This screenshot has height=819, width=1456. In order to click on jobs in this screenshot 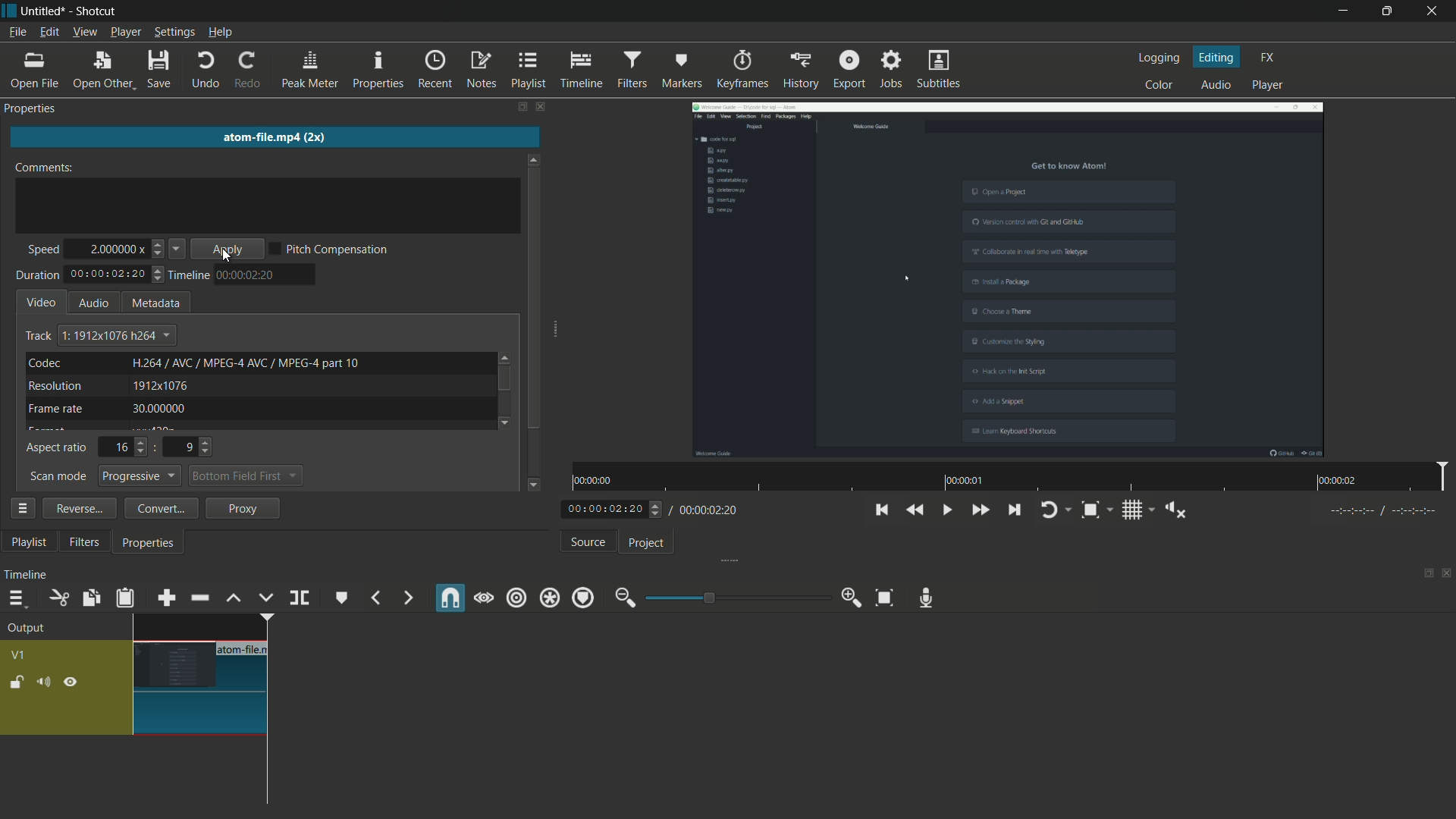, I will do `click(891, 69)`.